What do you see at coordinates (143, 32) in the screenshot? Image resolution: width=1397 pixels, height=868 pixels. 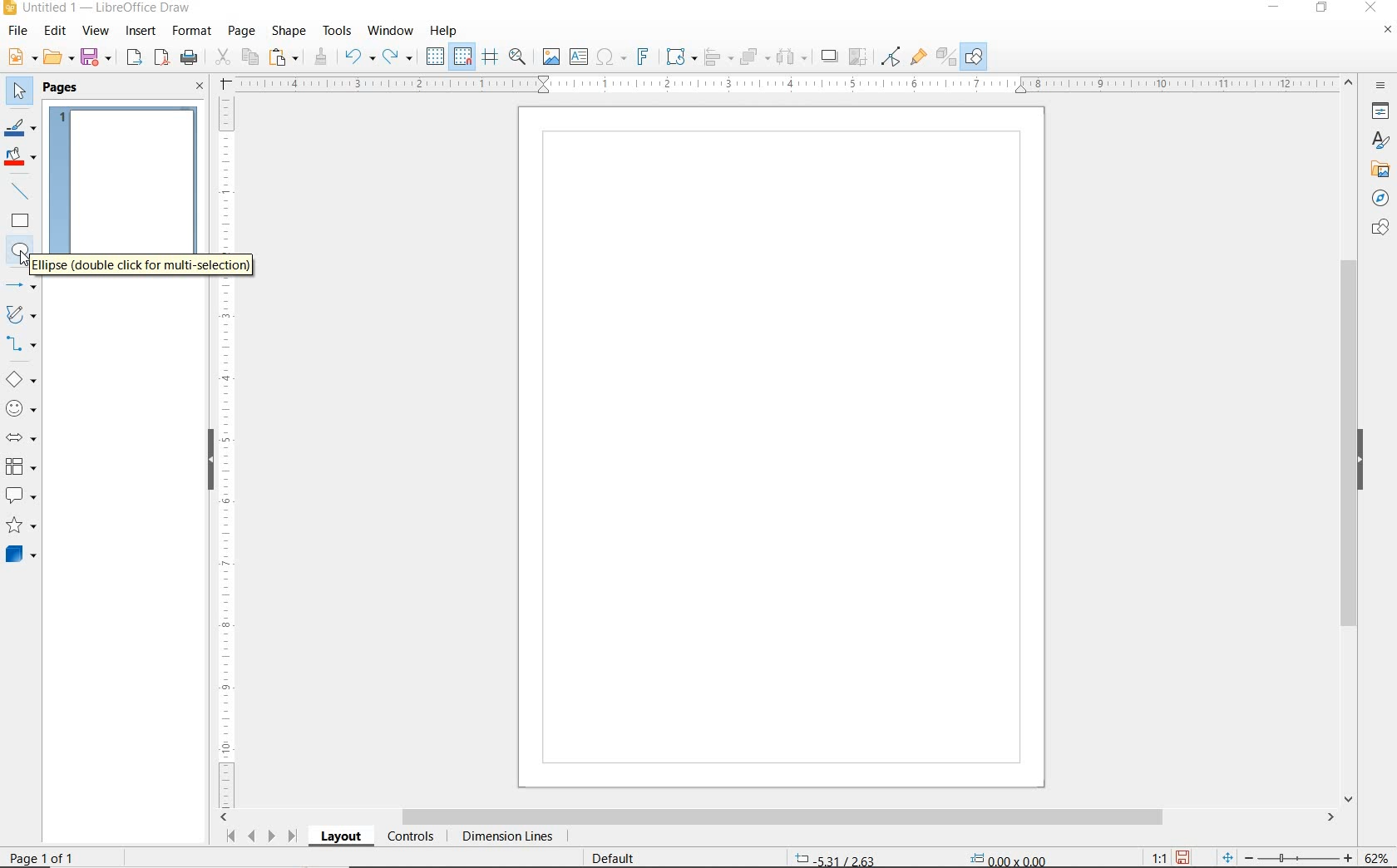 I see `INSERT` at bounding box center [143, 32].